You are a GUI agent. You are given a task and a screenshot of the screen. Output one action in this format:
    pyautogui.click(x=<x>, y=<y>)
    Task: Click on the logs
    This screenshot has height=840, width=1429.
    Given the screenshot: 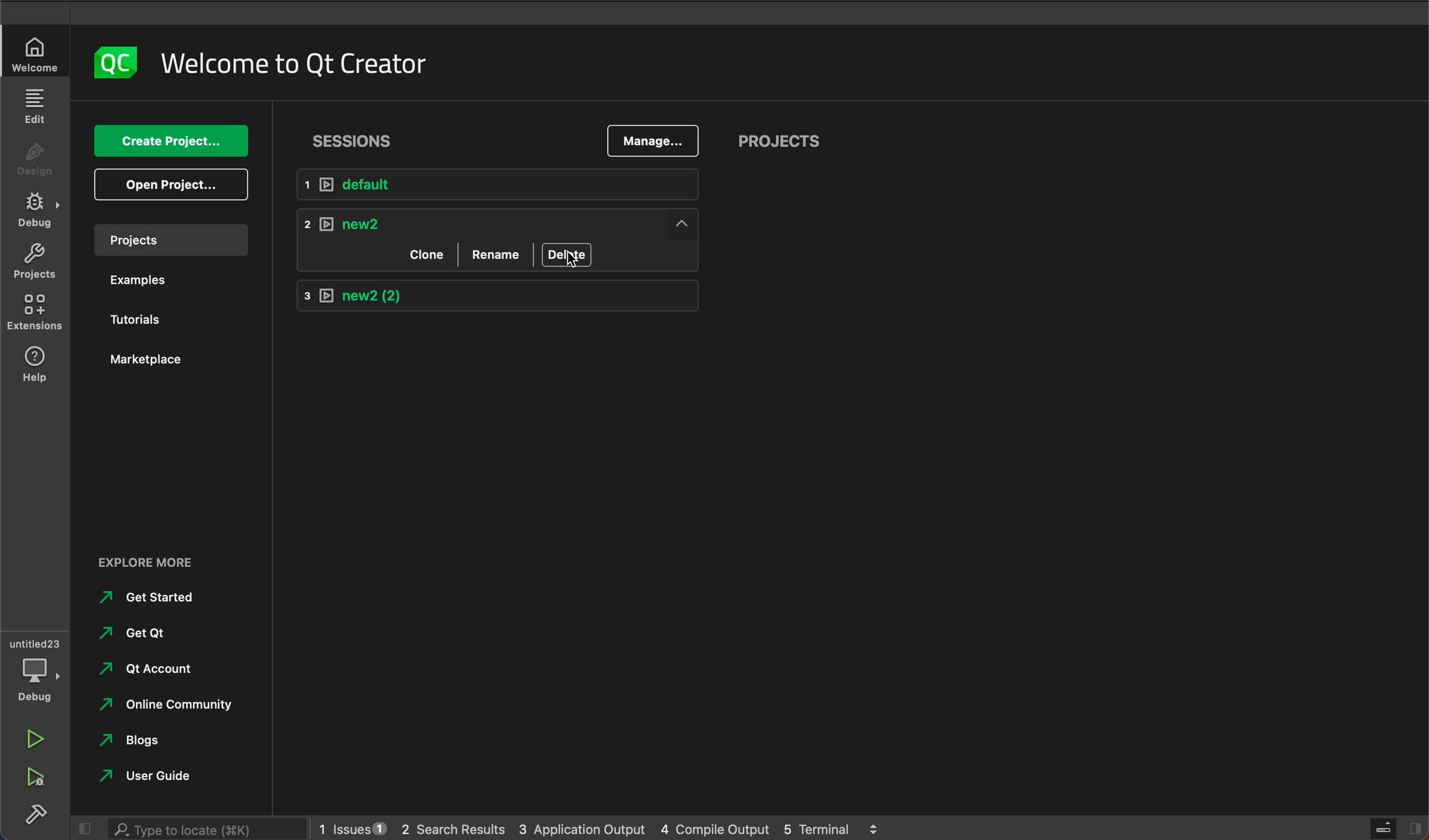 What is the action you would take?
    pyautogui.click(x=602, y=828)
    